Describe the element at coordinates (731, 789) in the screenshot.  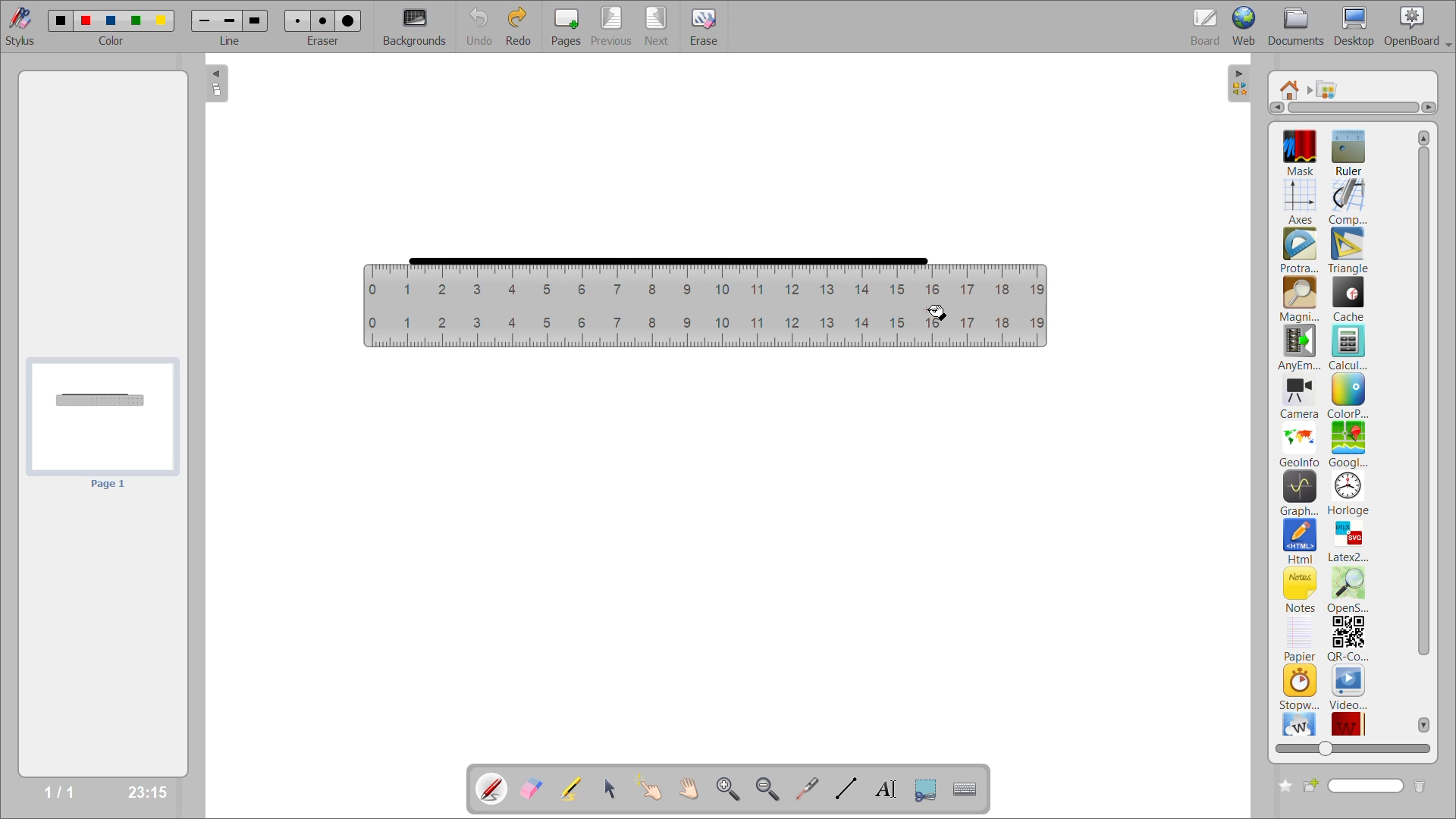
I see `zoom in` at that location.